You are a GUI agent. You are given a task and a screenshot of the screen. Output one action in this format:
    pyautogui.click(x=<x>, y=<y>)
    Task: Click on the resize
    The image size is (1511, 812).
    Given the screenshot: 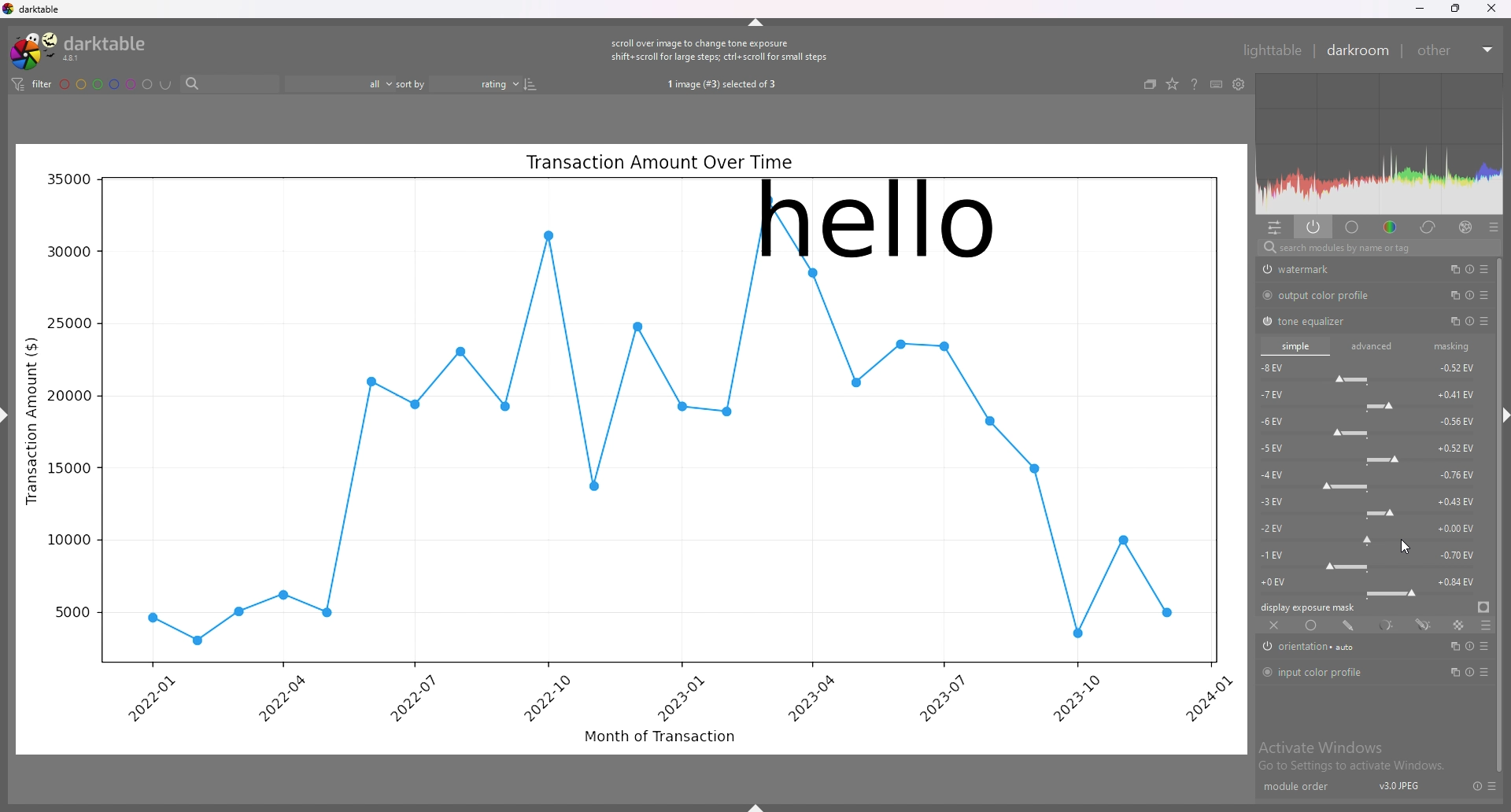 What is the action you would take?
    pyautogui.click(x=1454, y=9)
    